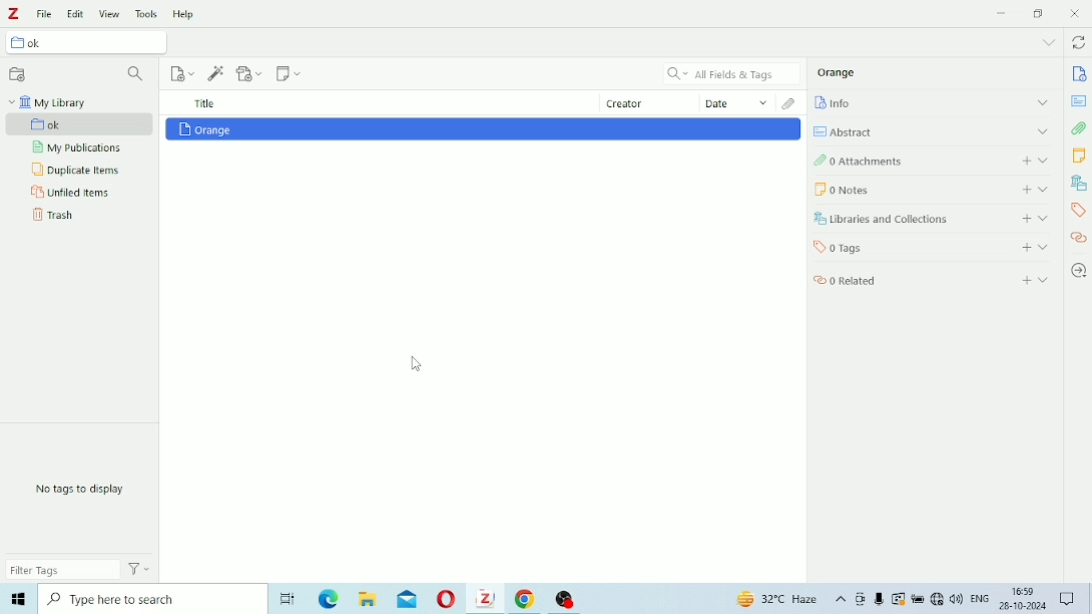 Image resolution: width=1092 pixels, height=614 pixels. I want to click on Abstract, so click(1078, 101).